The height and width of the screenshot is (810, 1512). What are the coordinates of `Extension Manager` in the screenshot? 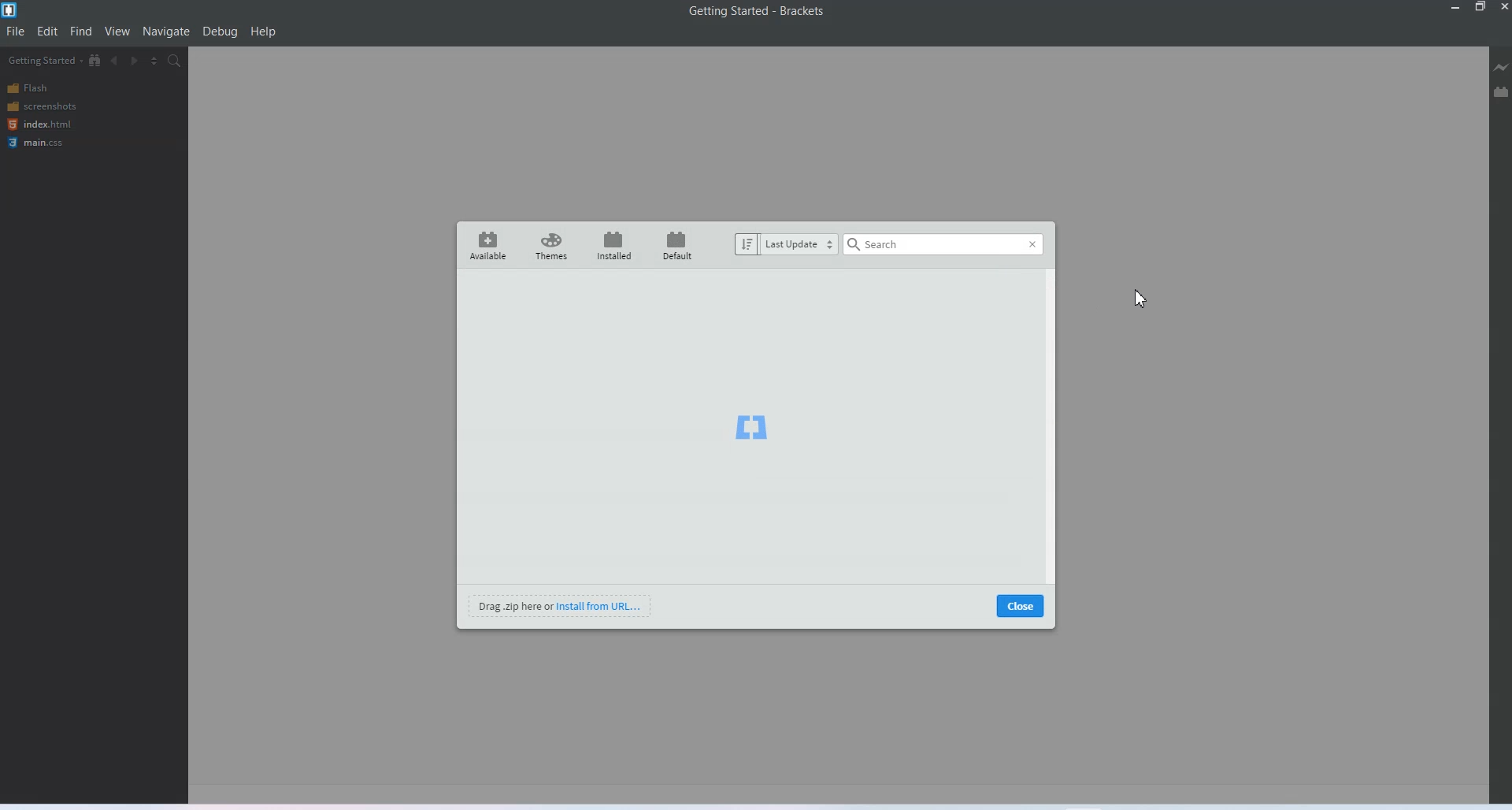 It's located at (1502, 91).